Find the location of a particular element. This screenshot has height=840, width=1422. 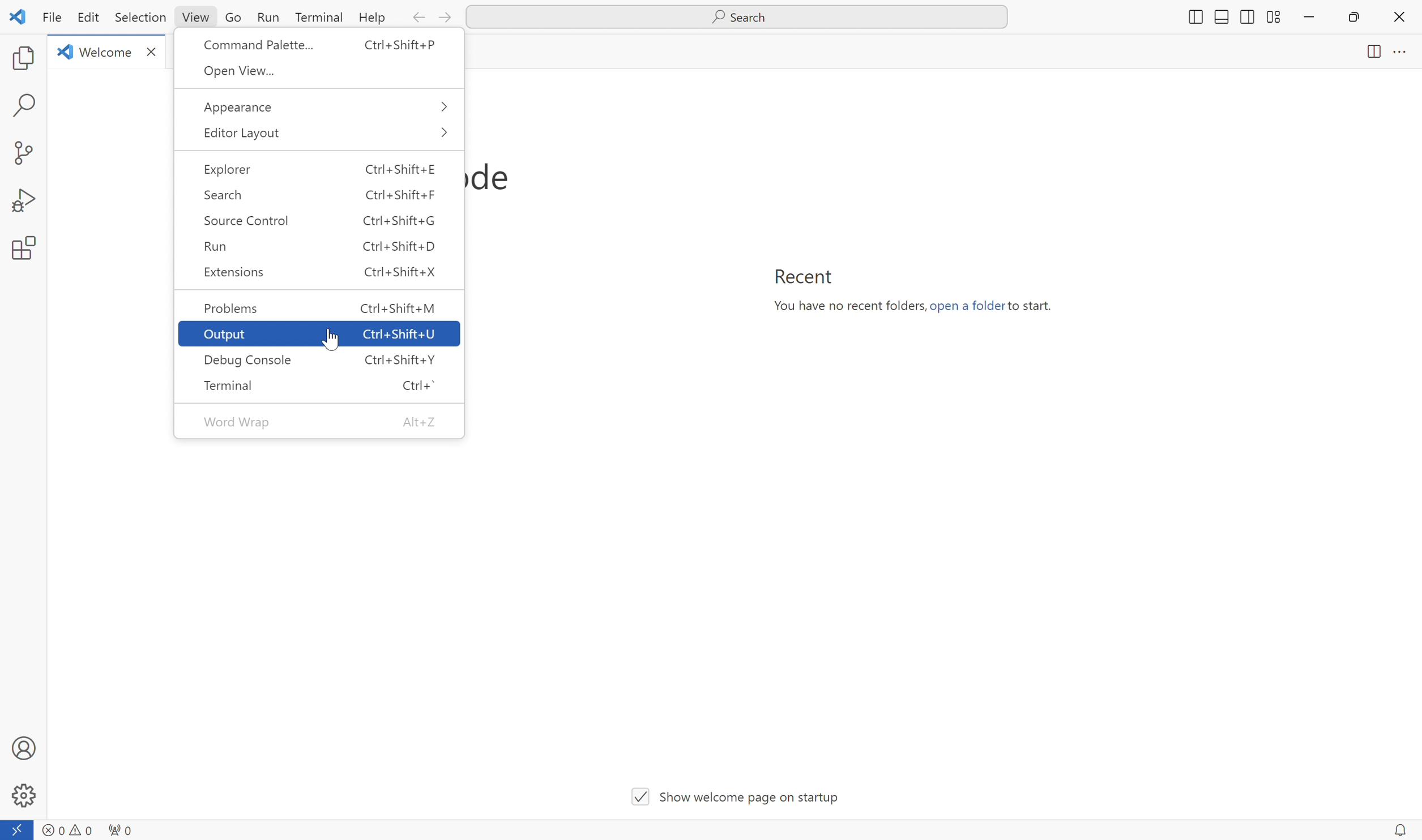

errors is located at coordinates (65, 830).